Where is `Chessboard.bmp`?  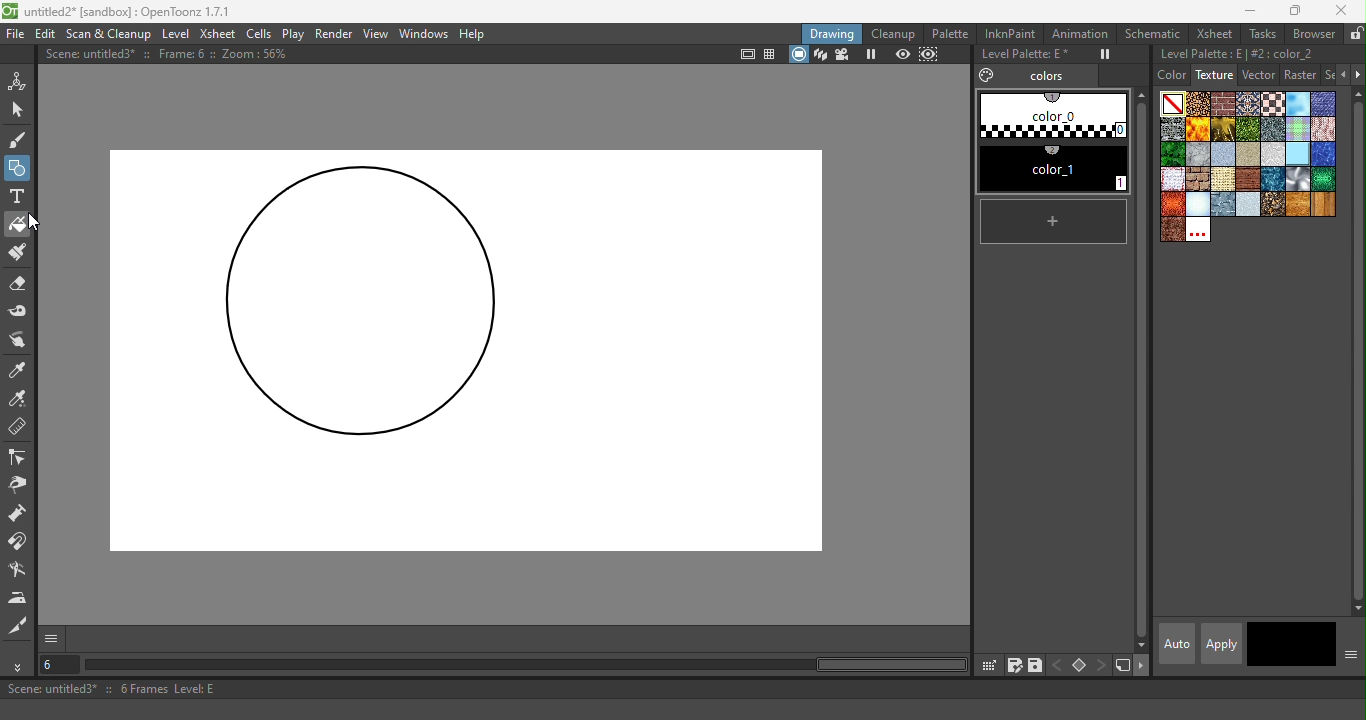 Chessboard.bmp is located at coordinates (1273, 104).